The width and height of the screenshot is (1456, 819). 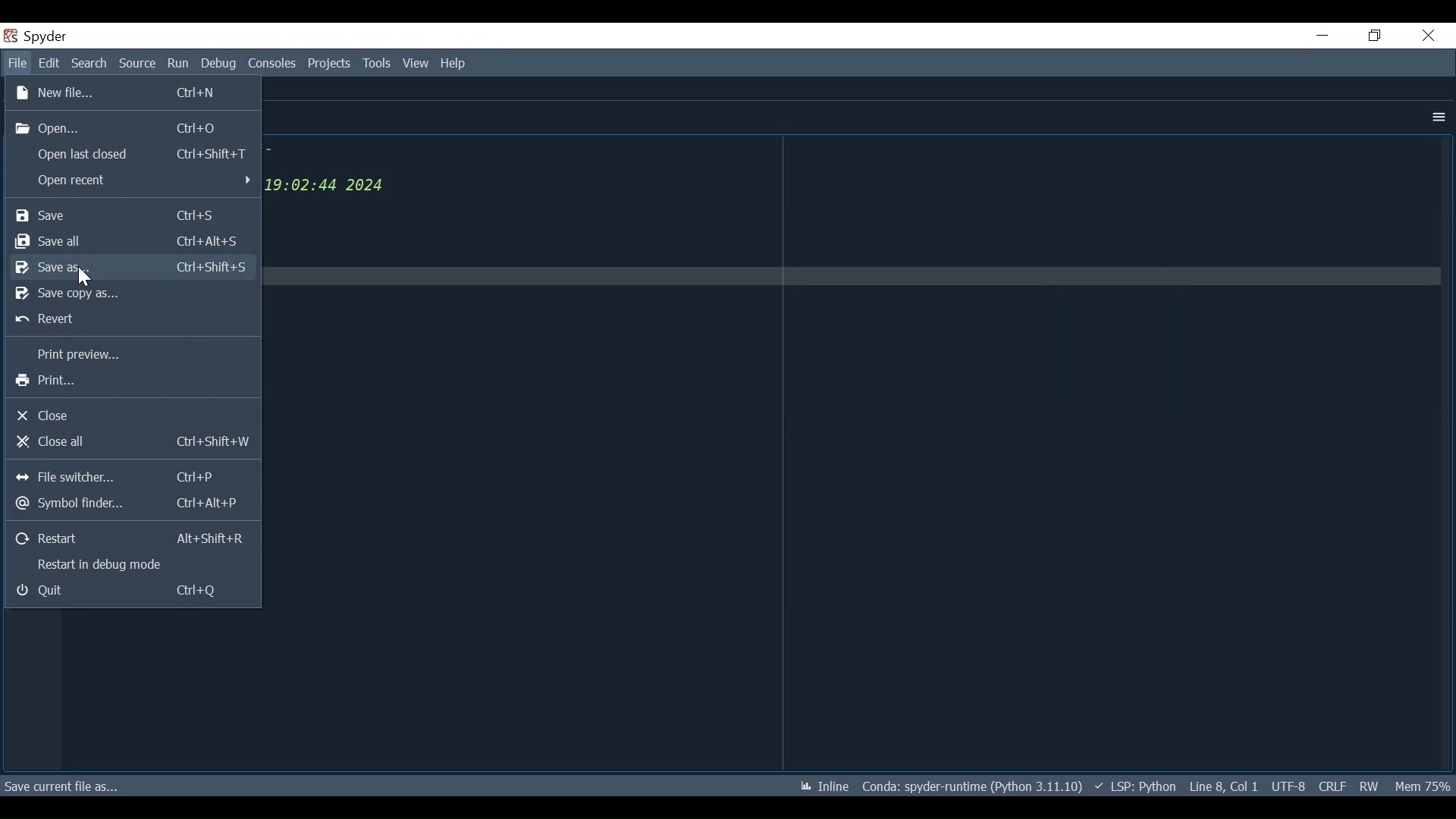 I want to click on Conda Environment Indicator, so click(x=970, y=786).